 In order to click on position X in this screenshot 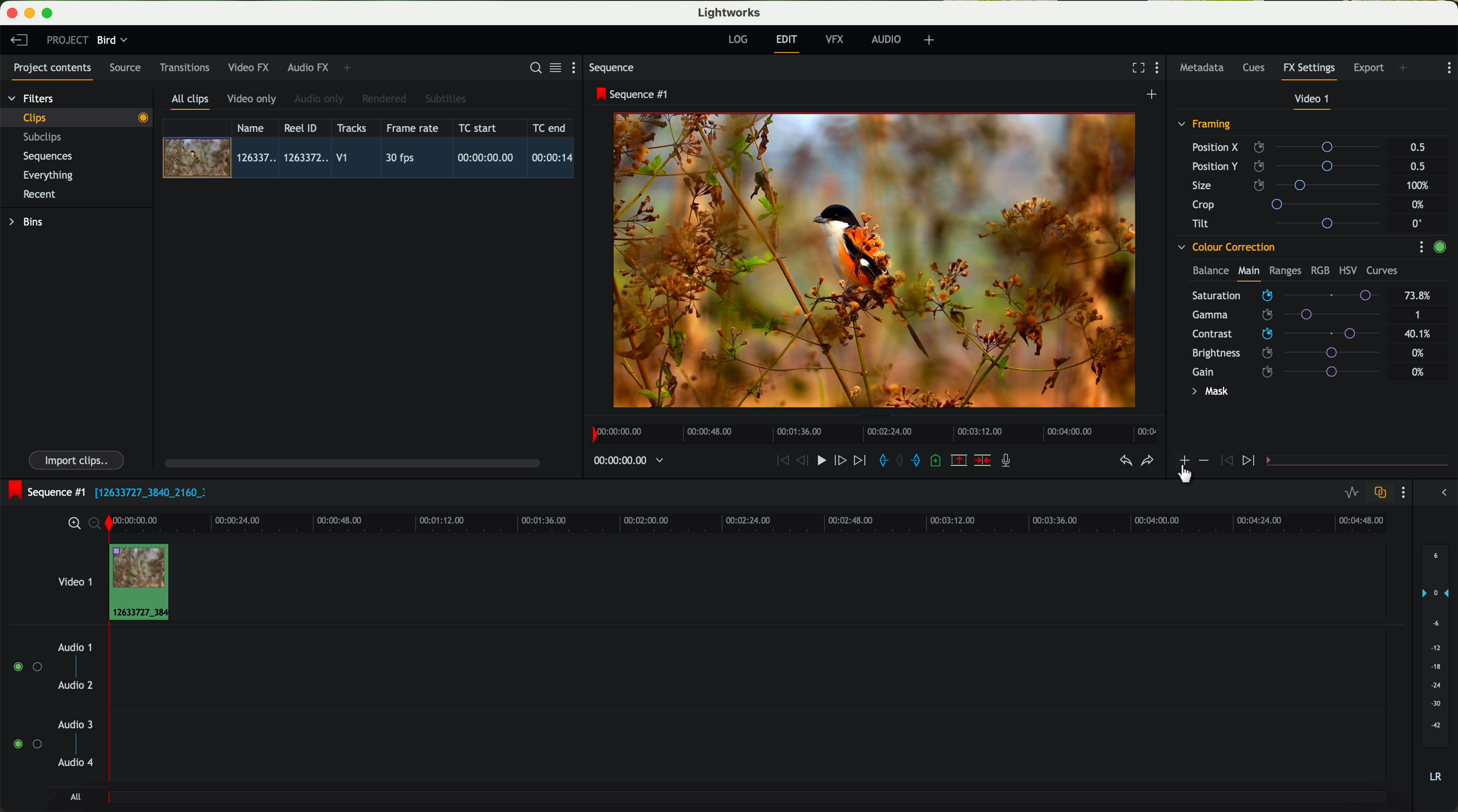, I will do `click(1290, 147)`.